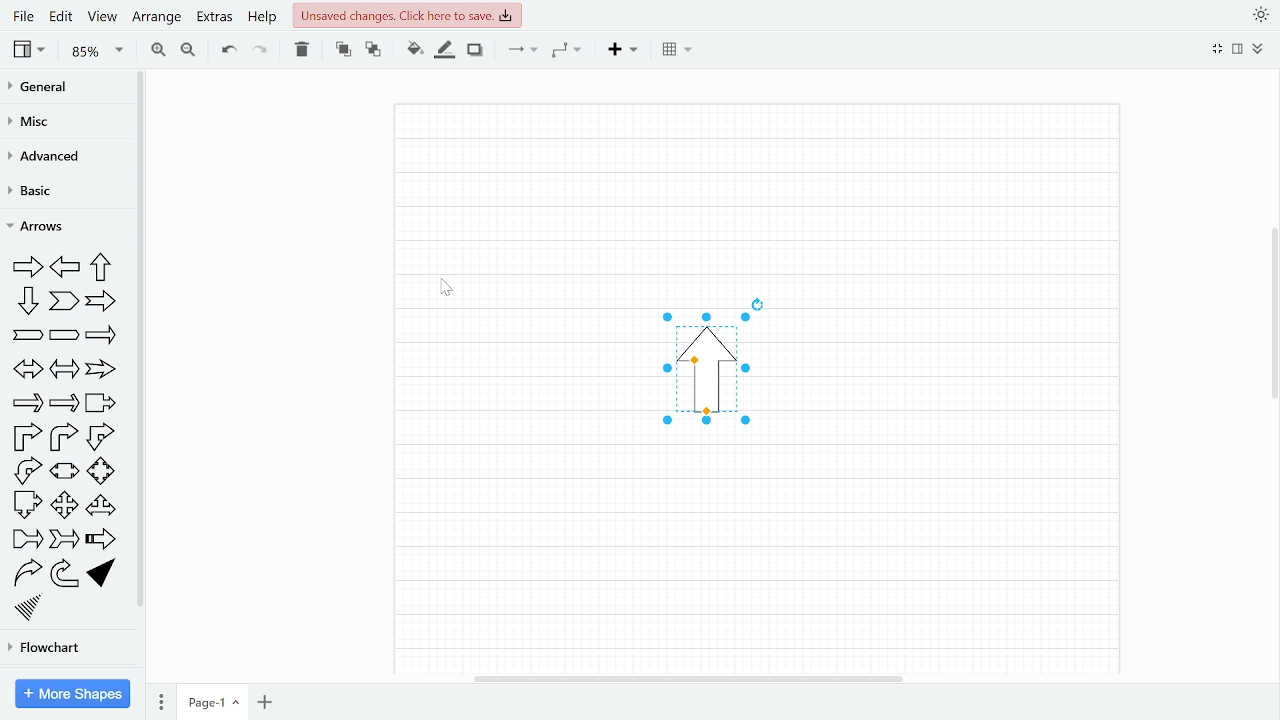 This screenshot has width=1280, height=720. Describe the element at coordinates (52, 644) in the screenshot. I see `Flowchart` at that location.